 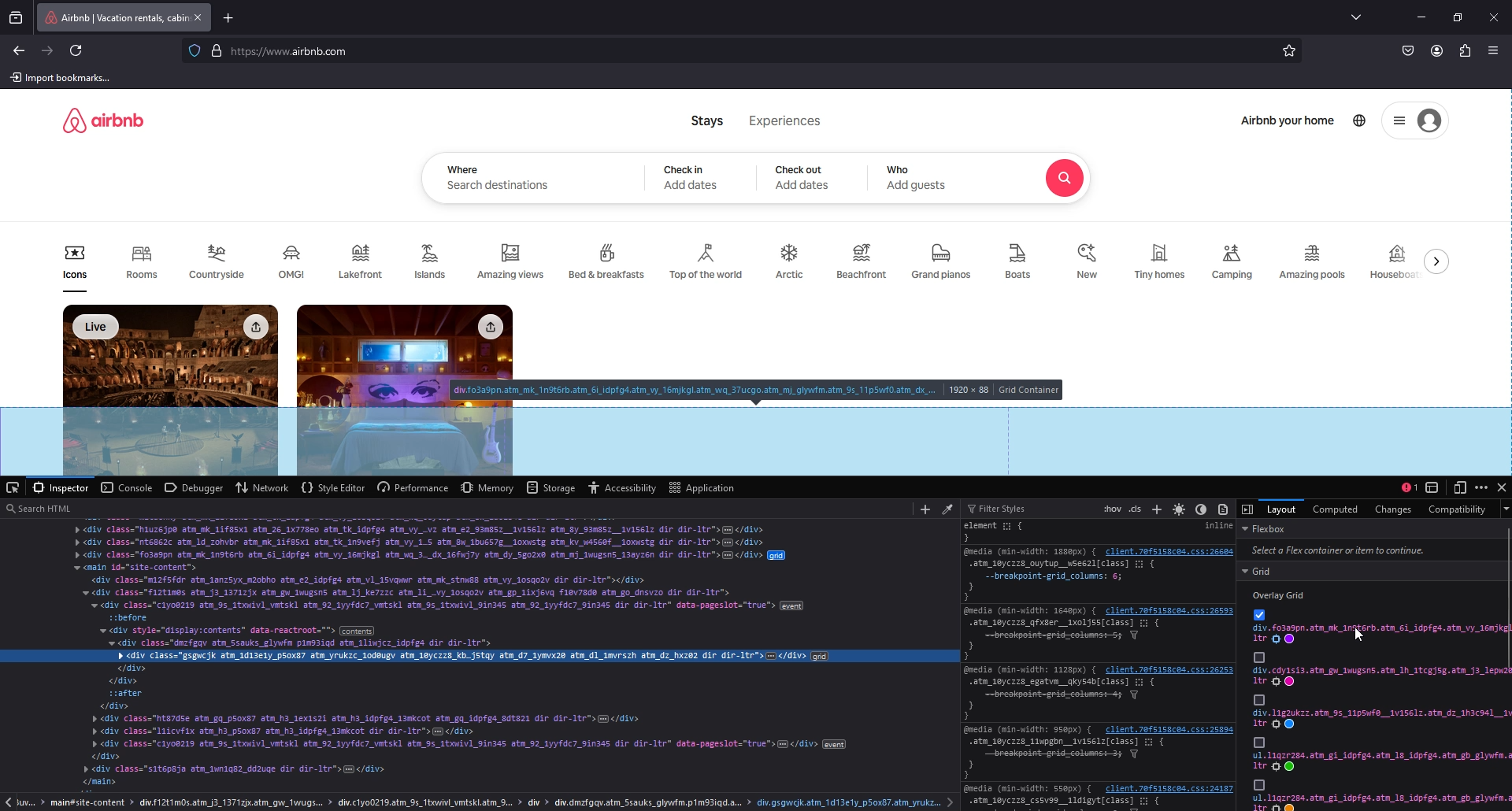 What do you see at coordinates (1410, 486) in the screenshot?
I see `show split console` at bounding box center [1410, 486].